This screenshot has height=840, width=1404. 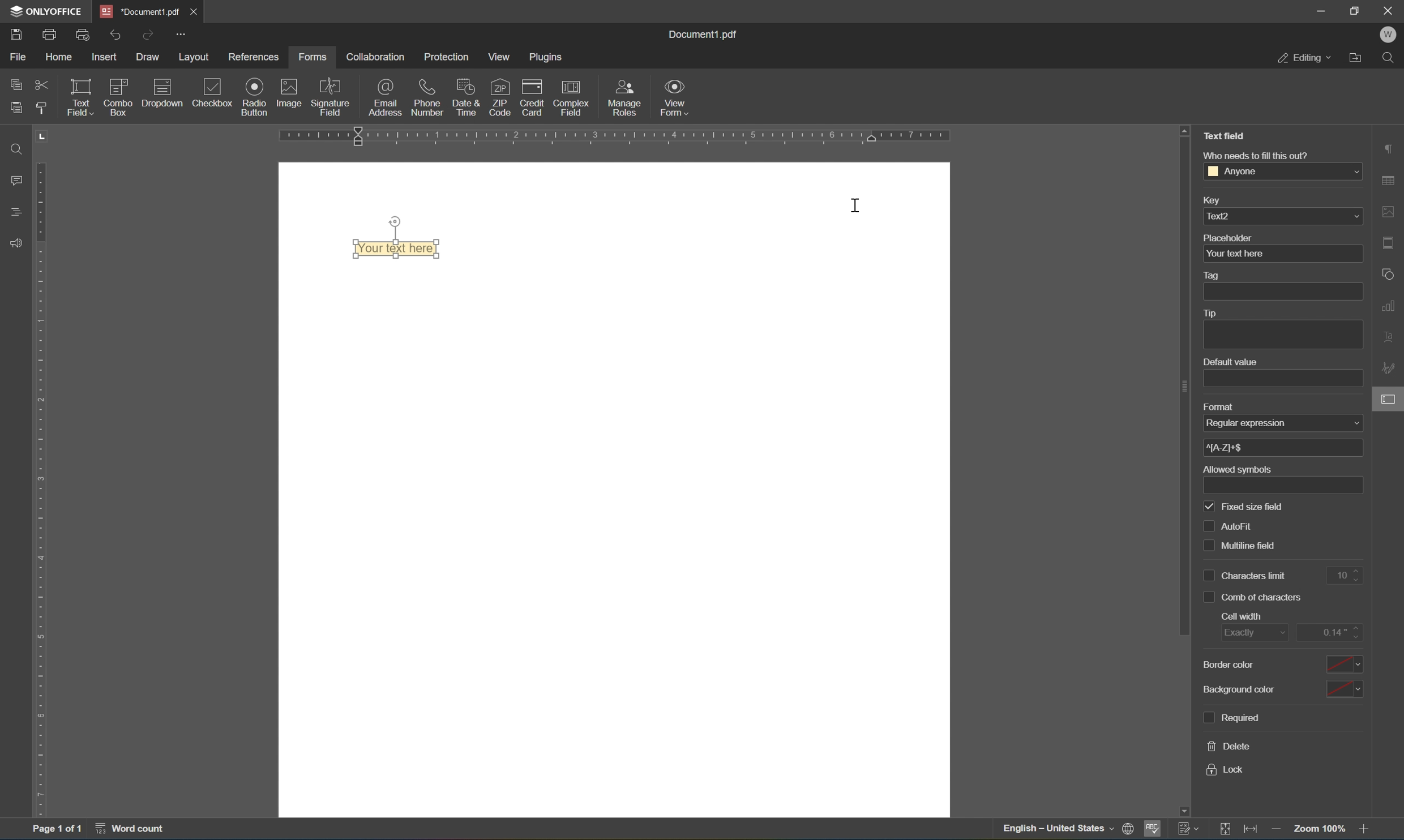 I want to click on background color, so click(x=1238, y=688).